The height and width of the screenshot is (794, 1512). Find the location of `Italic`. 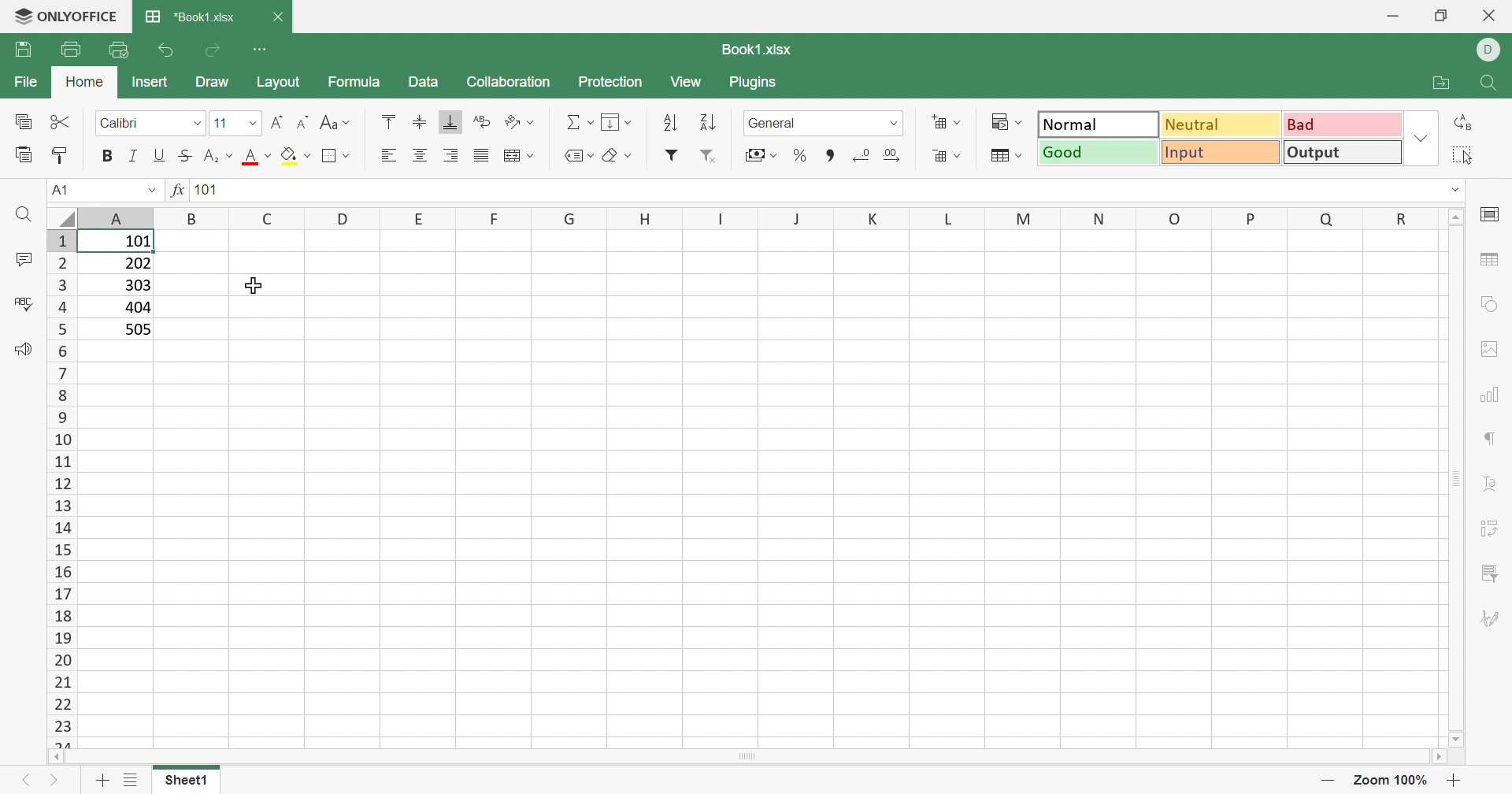

Italic is located at coordinates (133, 156).